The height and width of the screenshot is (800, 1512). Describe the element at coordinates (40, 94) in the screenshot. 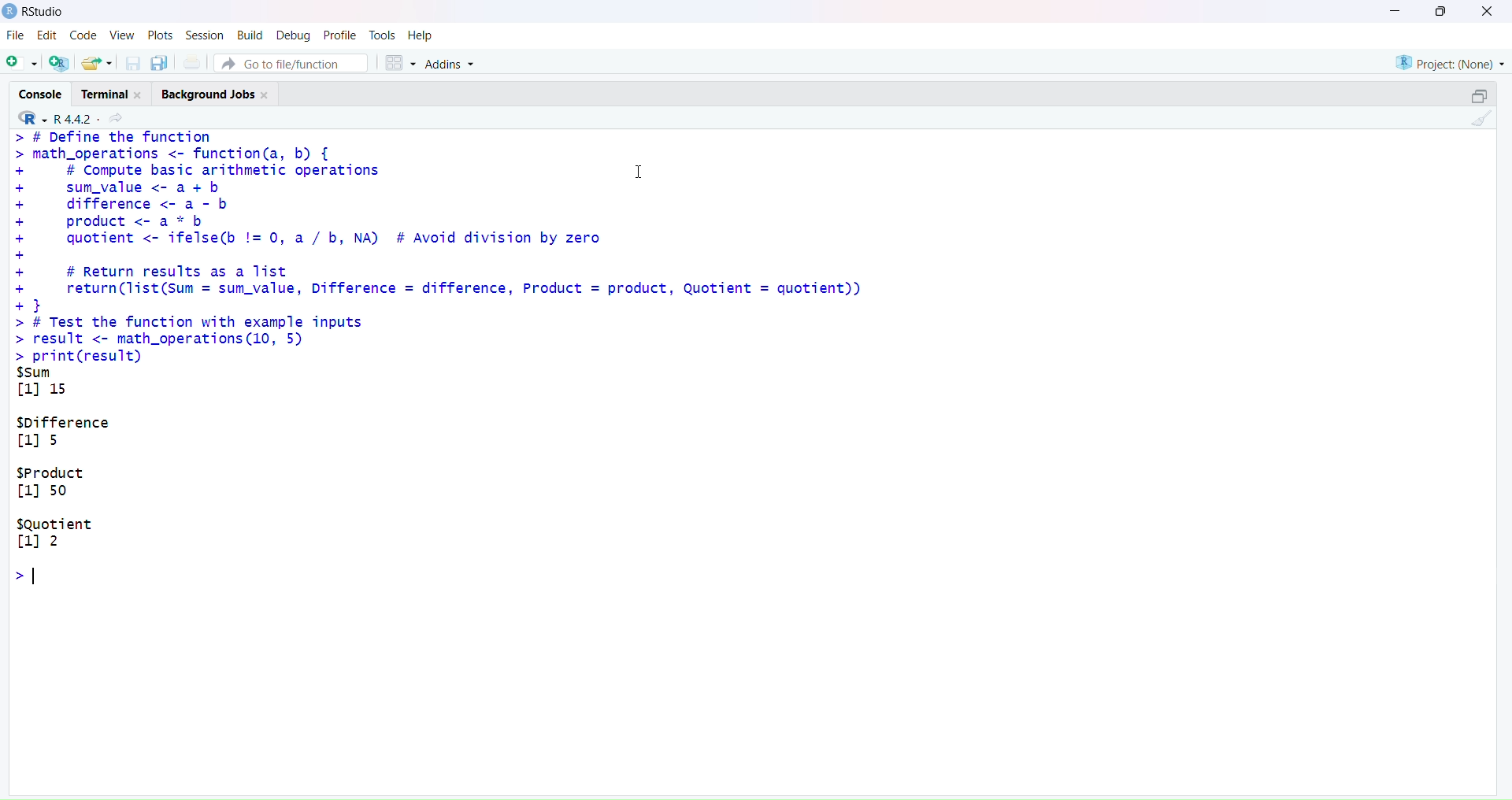

I see `Console` at that location.